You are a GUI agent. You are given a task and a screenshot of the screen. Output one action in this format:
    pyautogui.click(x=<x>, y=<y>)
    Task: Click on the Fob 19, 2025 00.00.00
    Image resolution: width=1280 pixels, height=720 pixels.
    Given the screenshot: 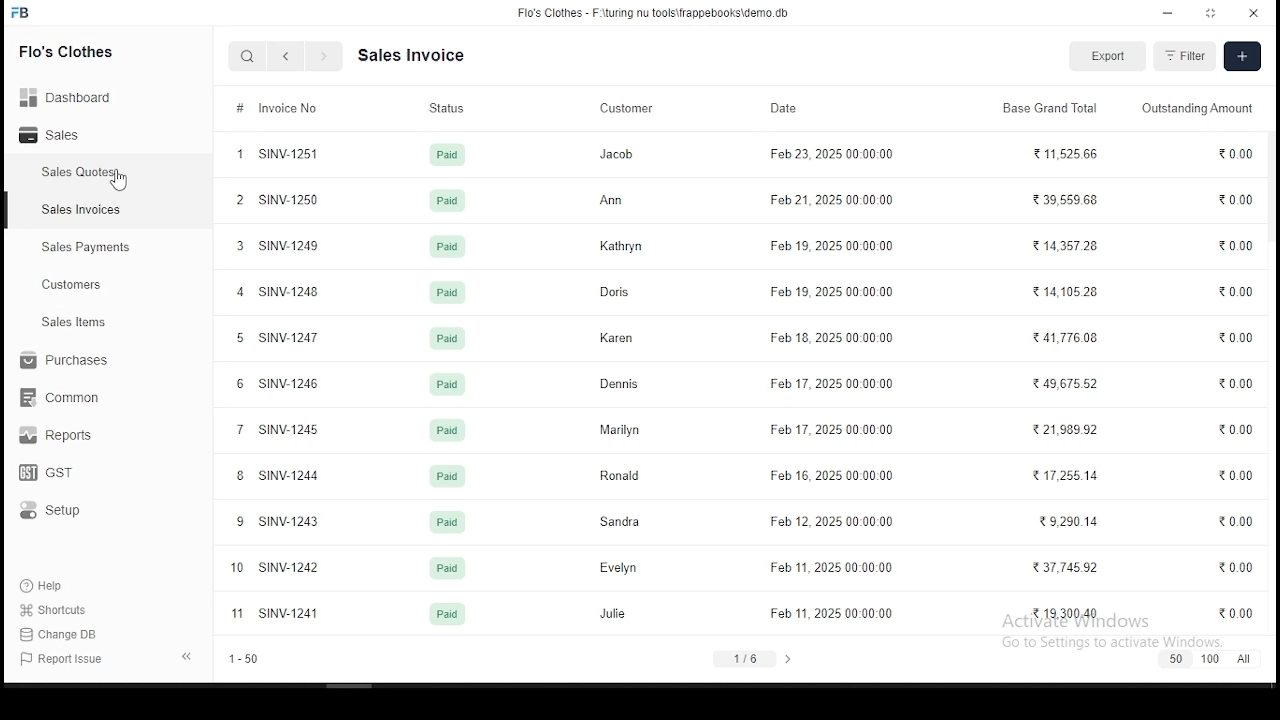 What is the action you would take?
    pyautogui.click(x=841, y=246)
    